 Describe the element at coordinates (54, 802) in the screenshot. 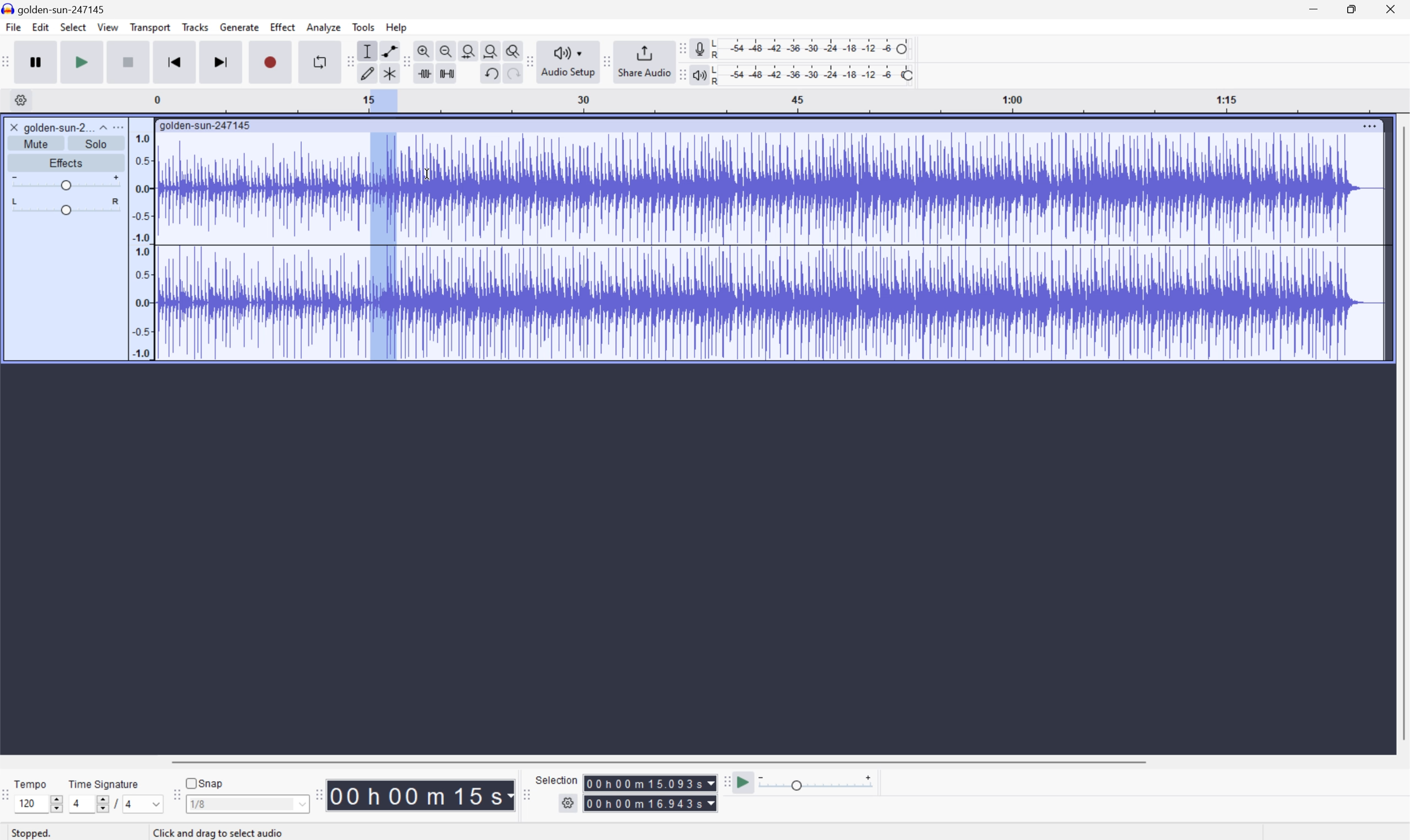

I see `Slider` at that location.